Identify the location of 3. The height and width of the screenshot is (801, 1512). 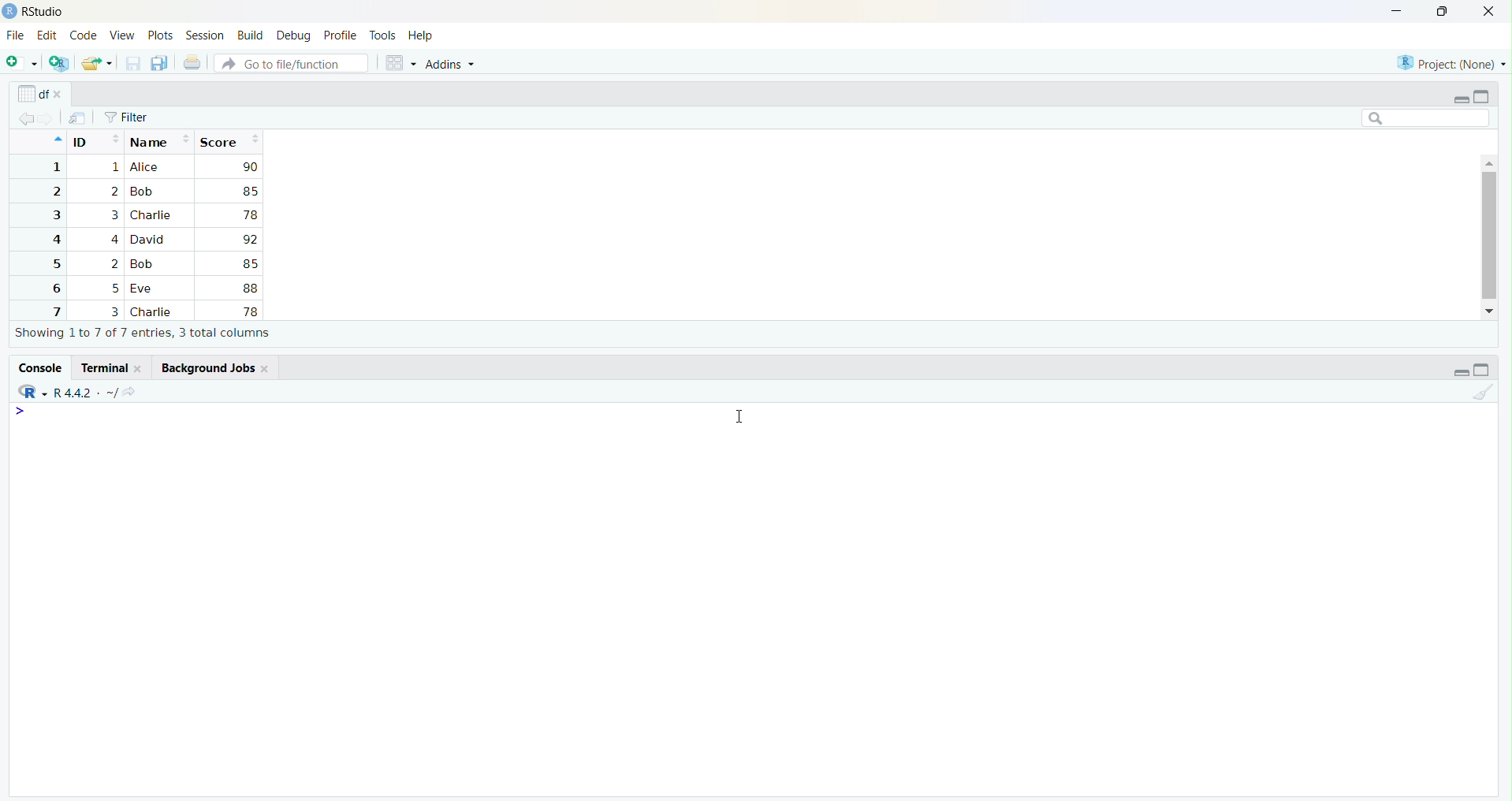
(54, 215).